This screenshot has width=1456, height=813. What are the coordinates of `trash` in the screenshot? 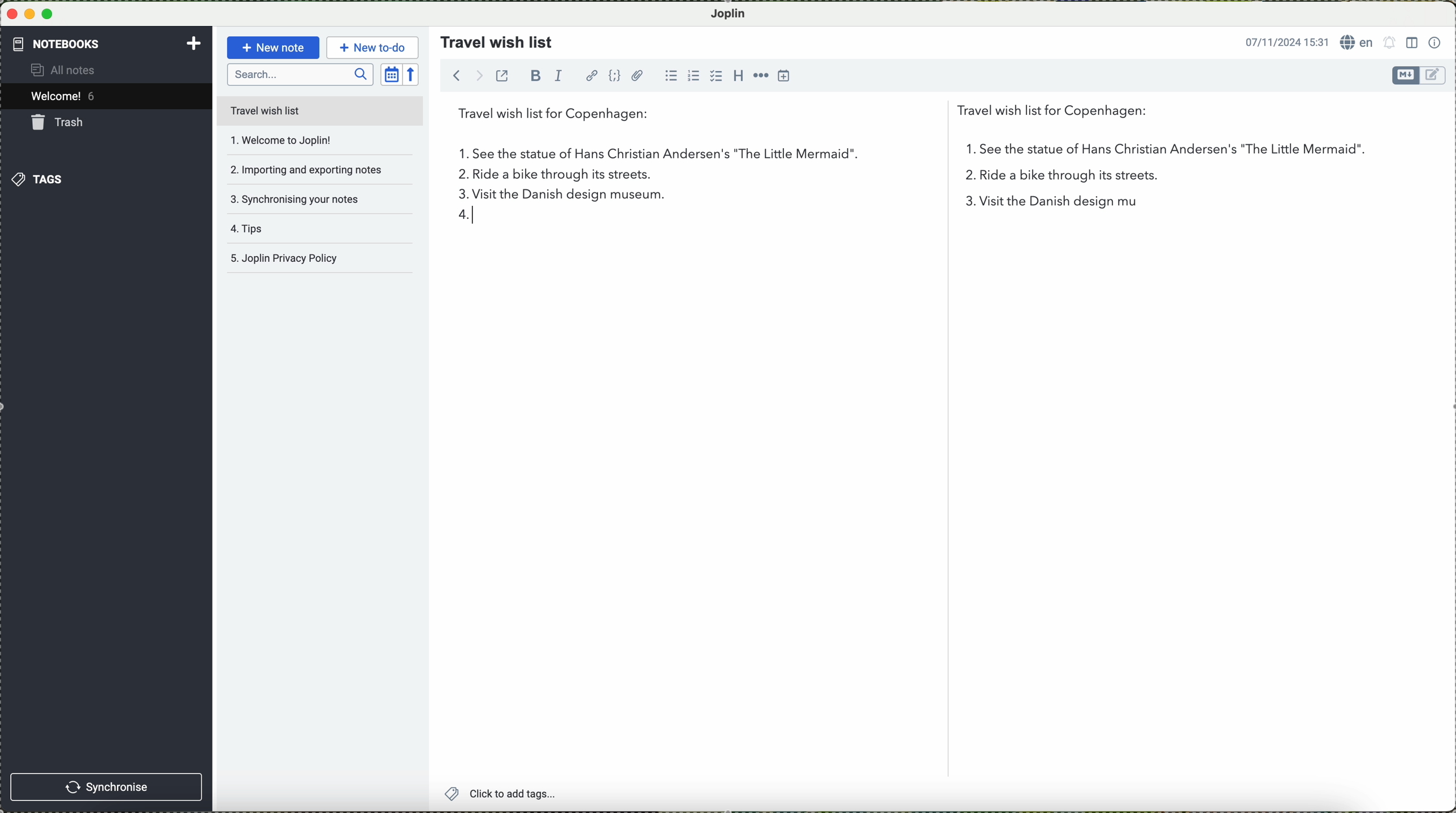 It's located at (60, 122).